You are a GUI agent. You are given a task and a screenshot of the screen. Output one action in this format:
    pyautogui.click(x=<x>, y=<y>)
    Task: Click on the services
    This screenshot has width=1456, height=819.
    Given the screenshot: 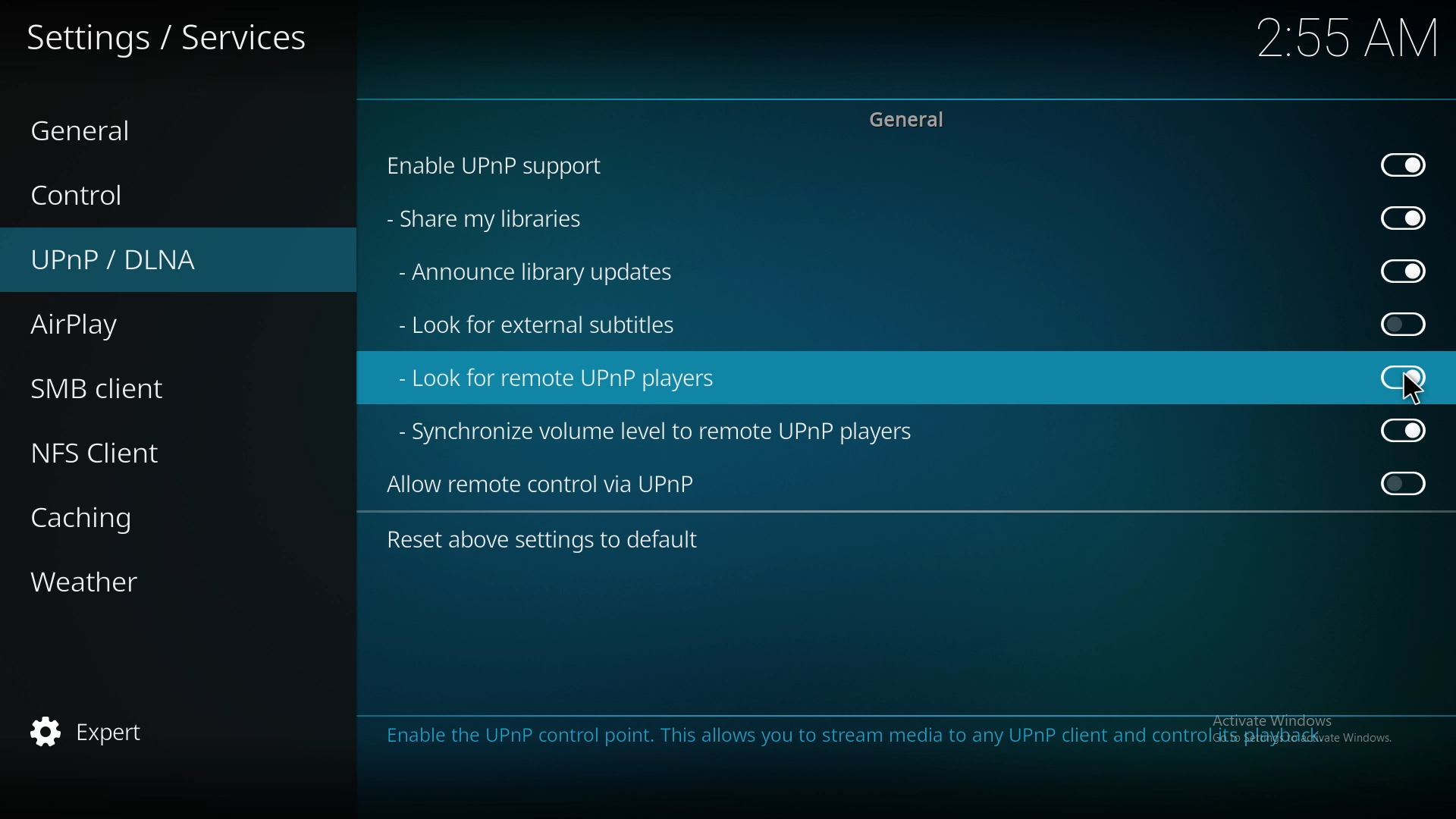 What is the action you would take?
    pyautogui.click(x=168, y=42)
    